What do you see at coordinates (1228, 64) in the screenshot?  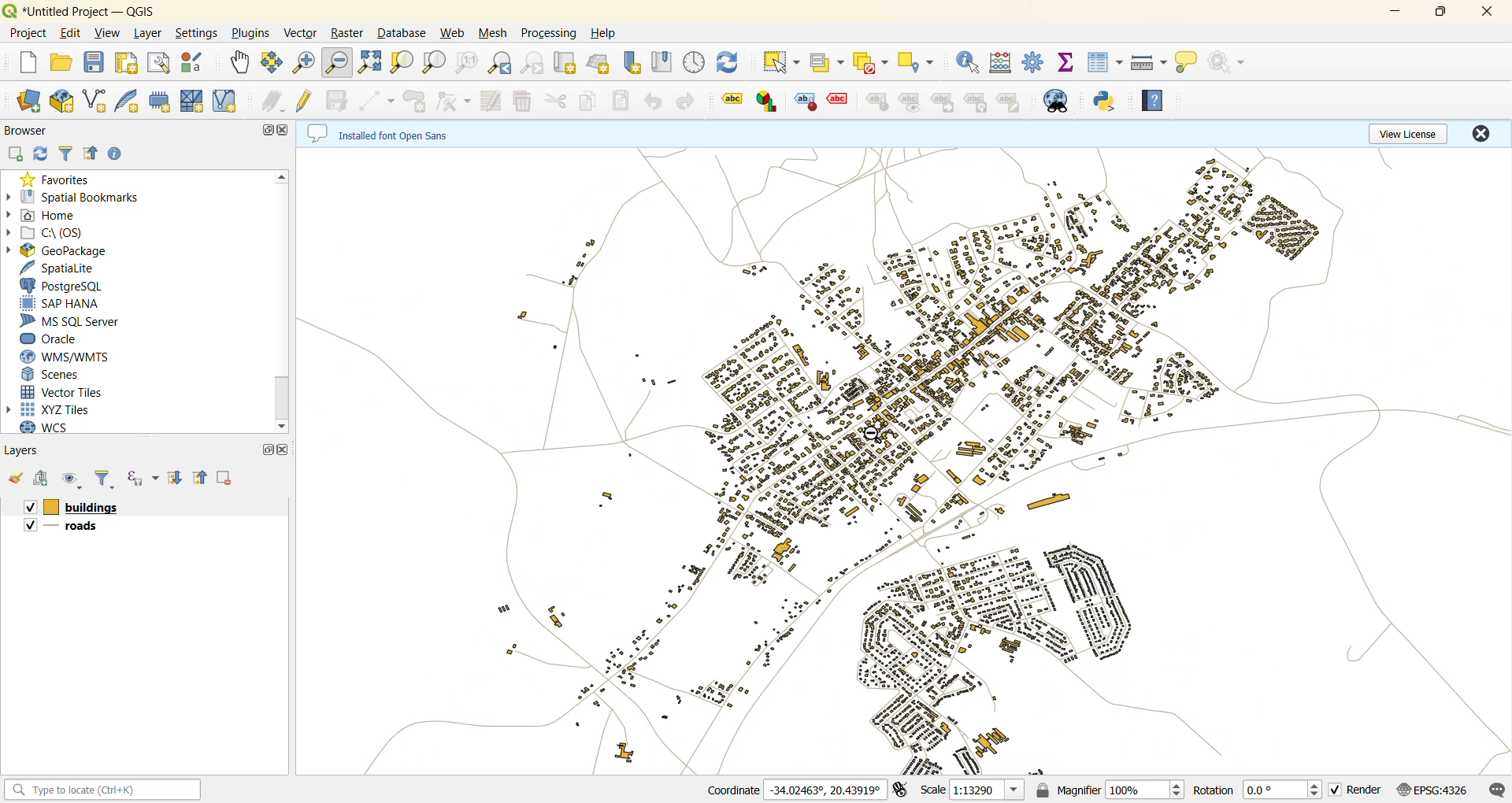 I see `no action` at bounding box center [1228, 64].